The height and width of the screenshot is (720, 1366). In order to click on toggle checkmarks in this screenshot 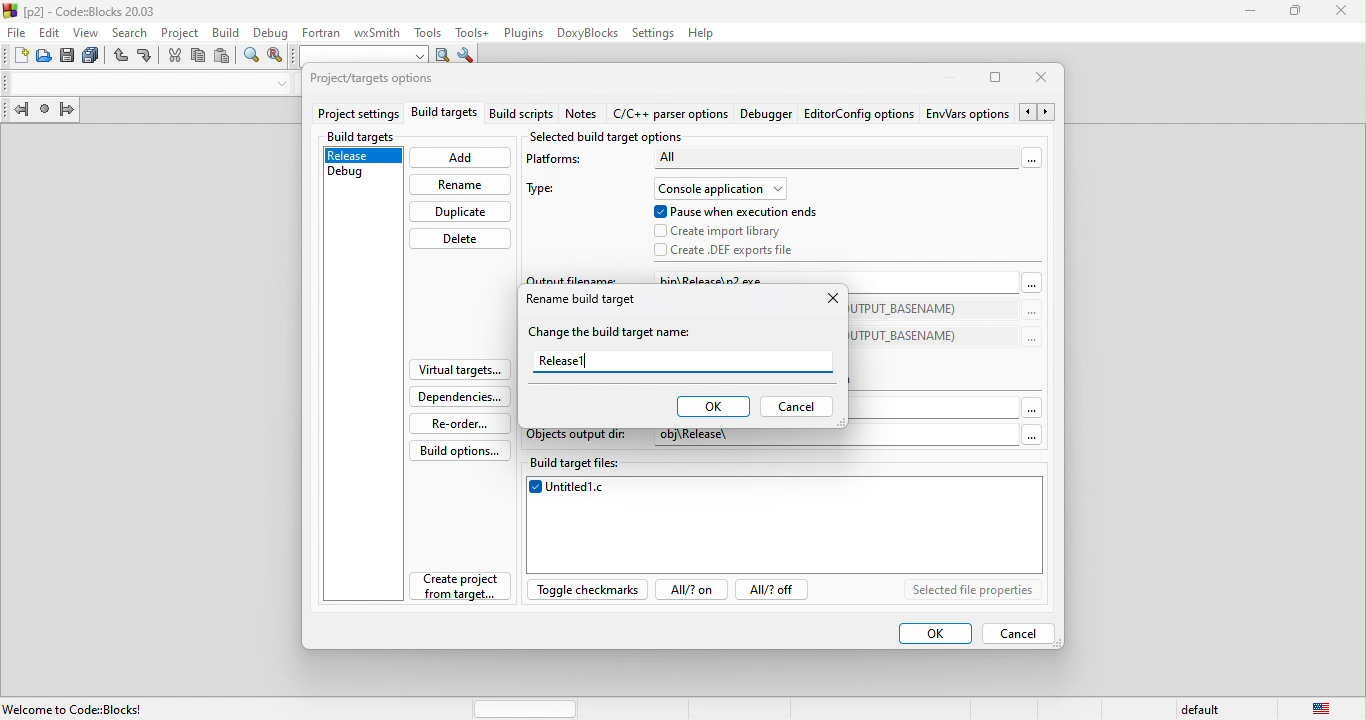, I will do `click(590, 590)`.